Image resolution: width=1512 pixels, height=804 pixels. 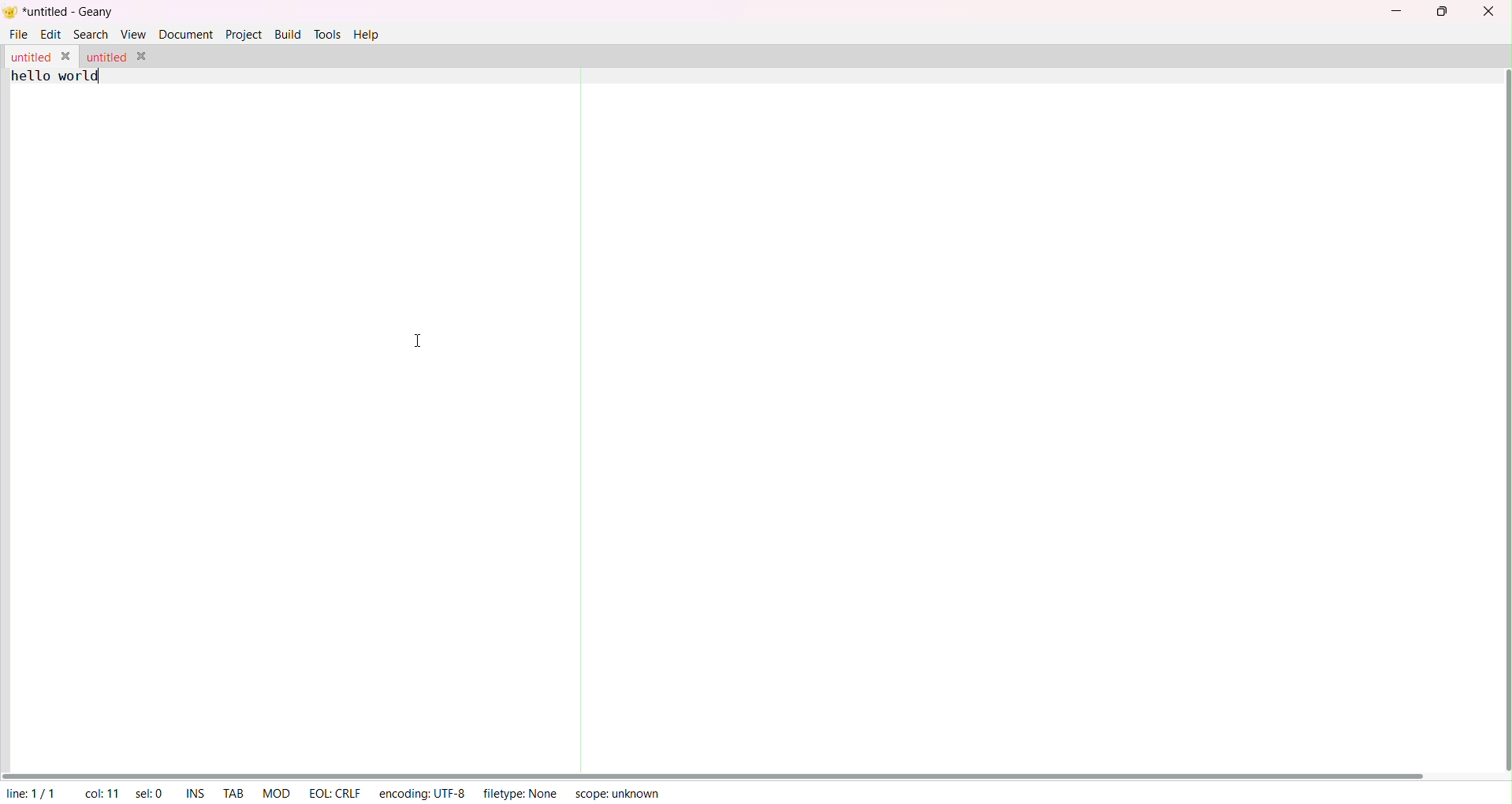 I want to click on sel: 0, so click(x=147, y=795).